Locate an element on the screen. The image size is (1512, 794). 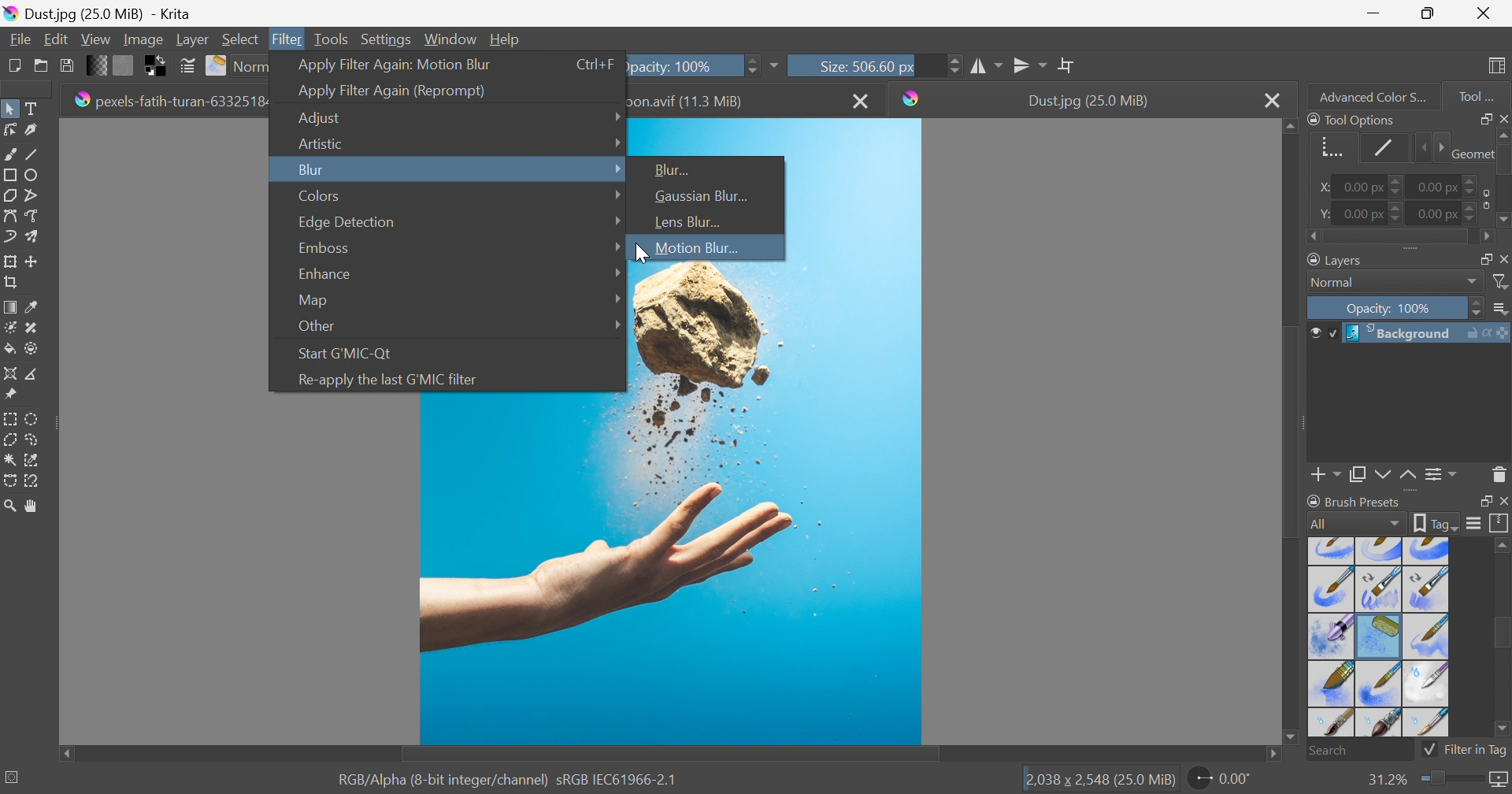
Opacity: 100% is located at coordinates (1392, 310).